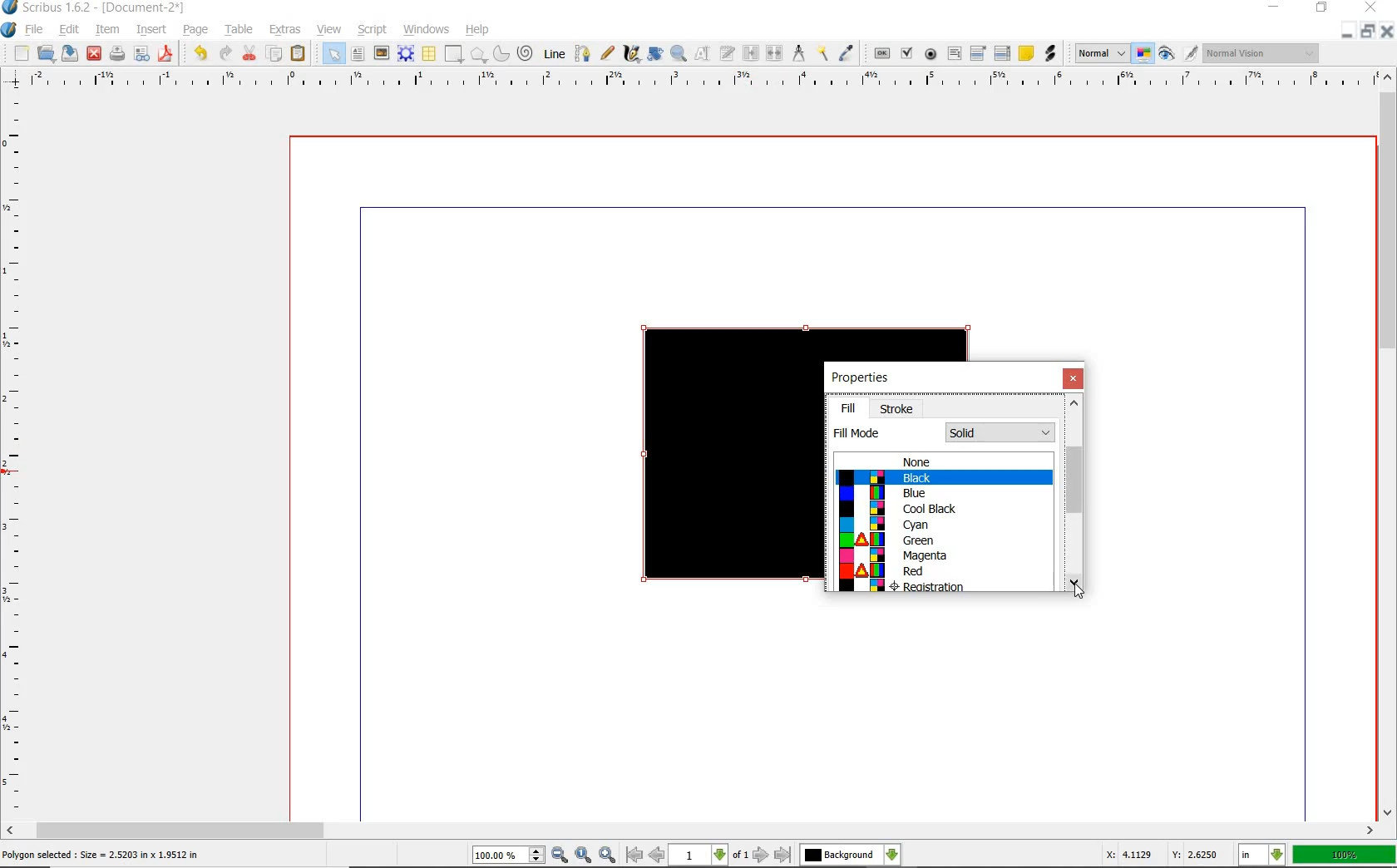 The width and height of the screenshot is (1397, 868). Describe the element at coordinates (69, 55) in the screenshot. I see `save` at that location.